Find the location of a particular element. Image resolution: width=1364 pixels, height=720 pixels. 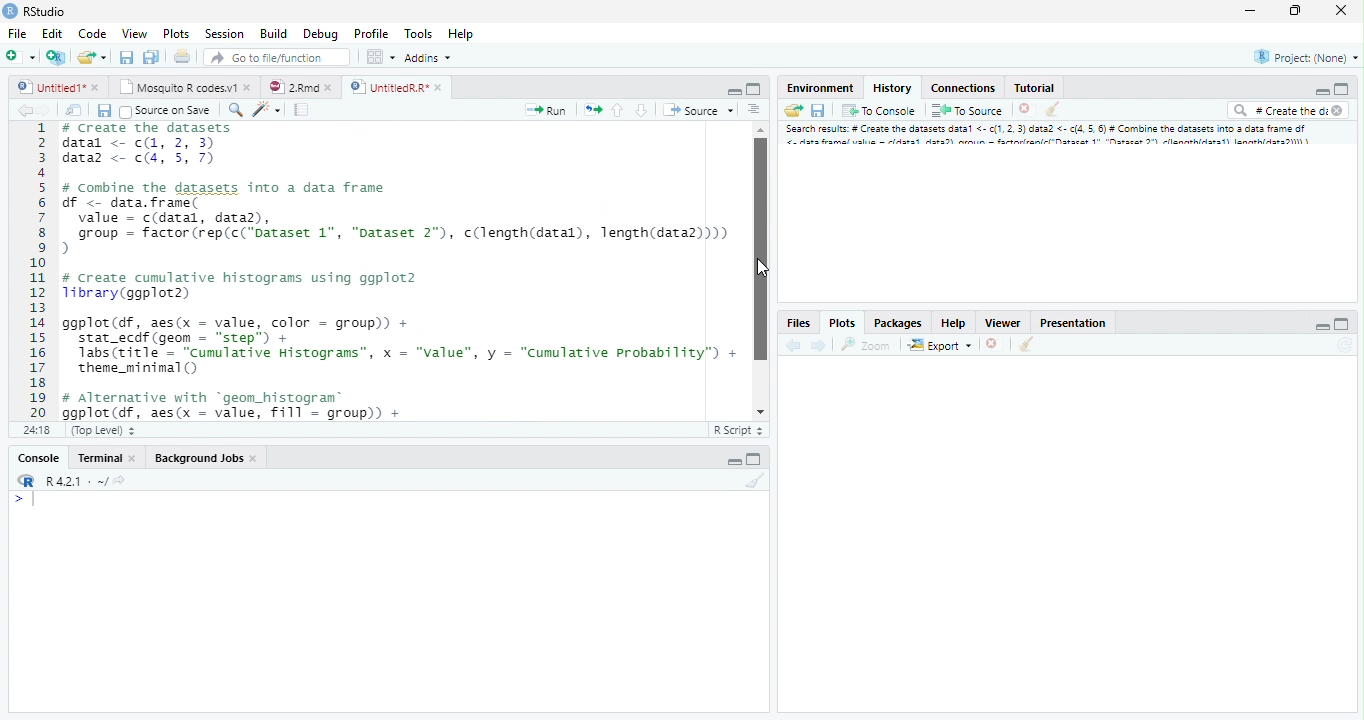

Create a new file is located at coordinates (94, 57).